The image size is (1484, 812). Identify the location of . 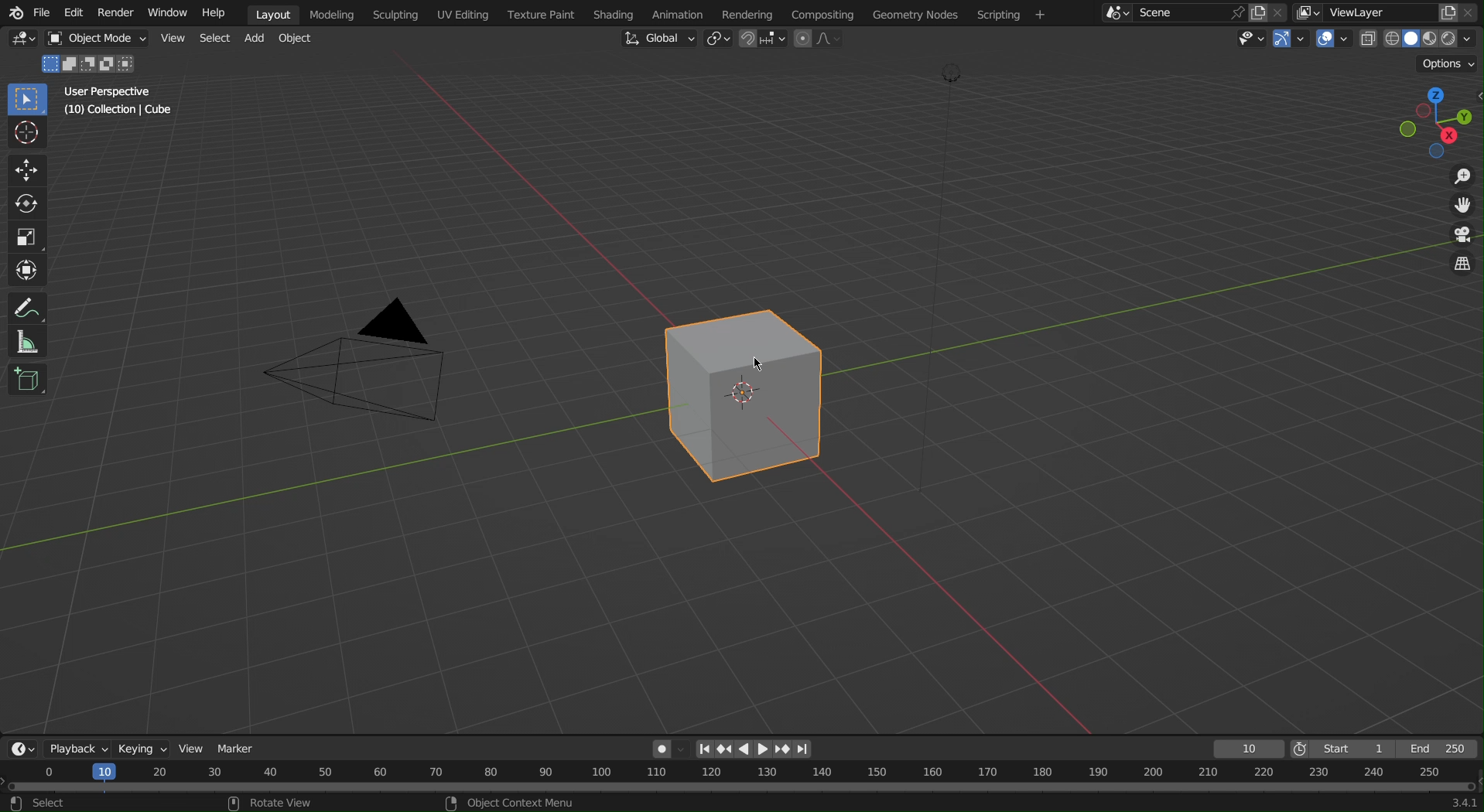
(1007, 15).